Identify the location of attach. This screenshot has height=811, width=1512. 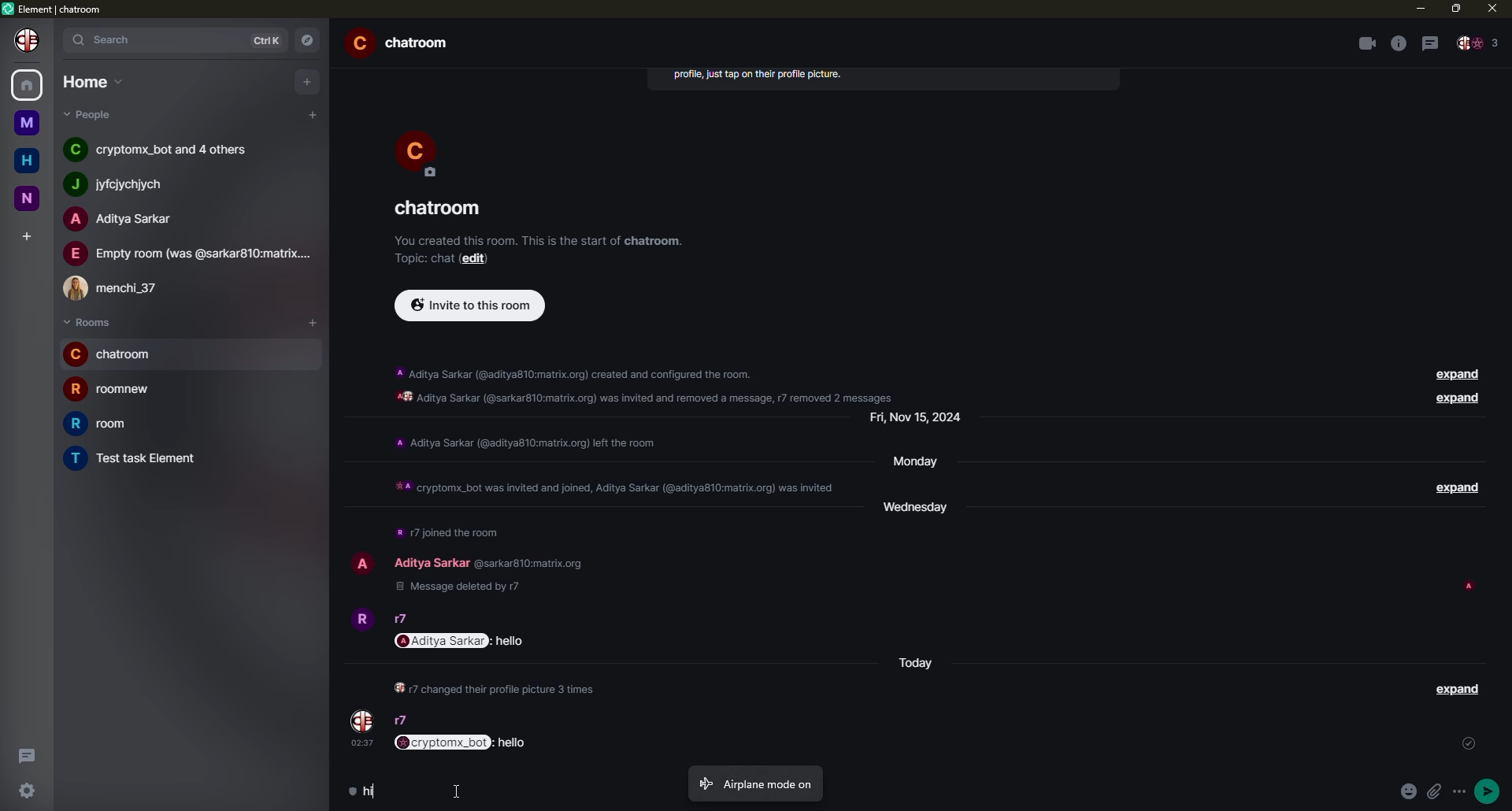
(1437, 791).